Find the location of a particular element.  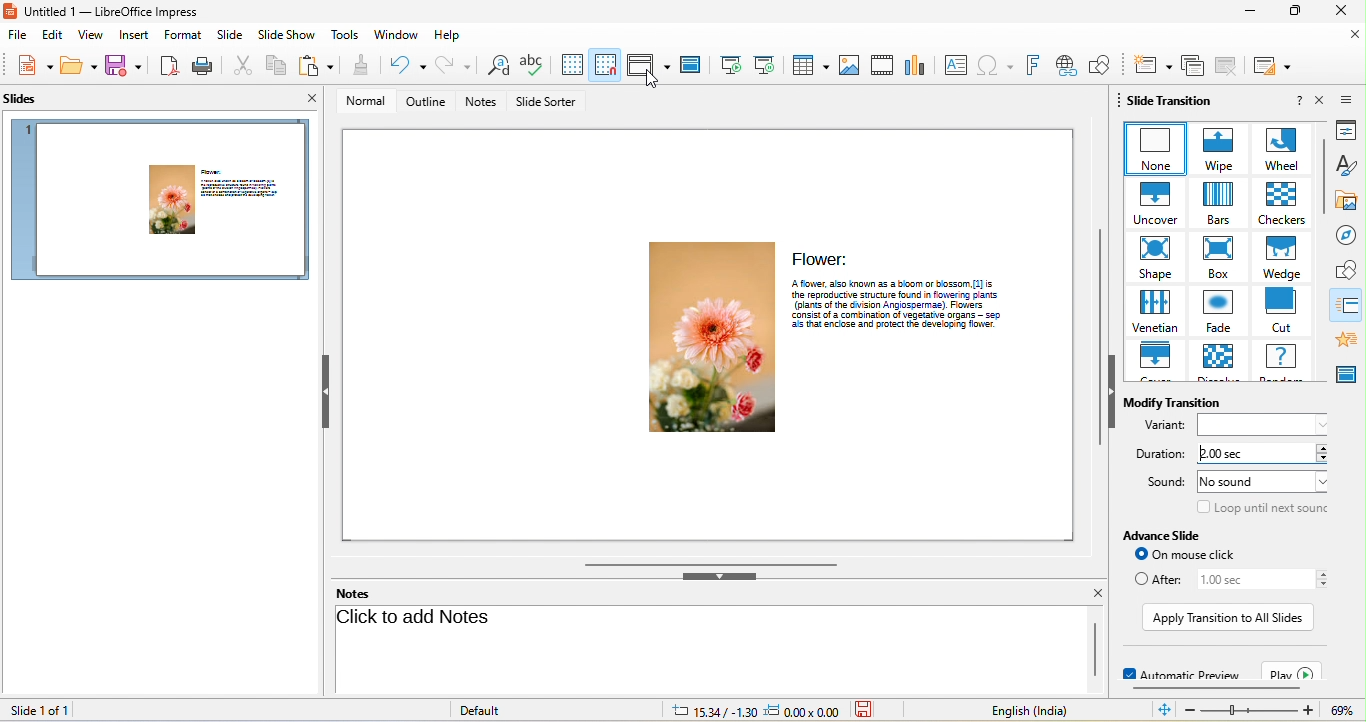

image is located at coordinates (850, 65).